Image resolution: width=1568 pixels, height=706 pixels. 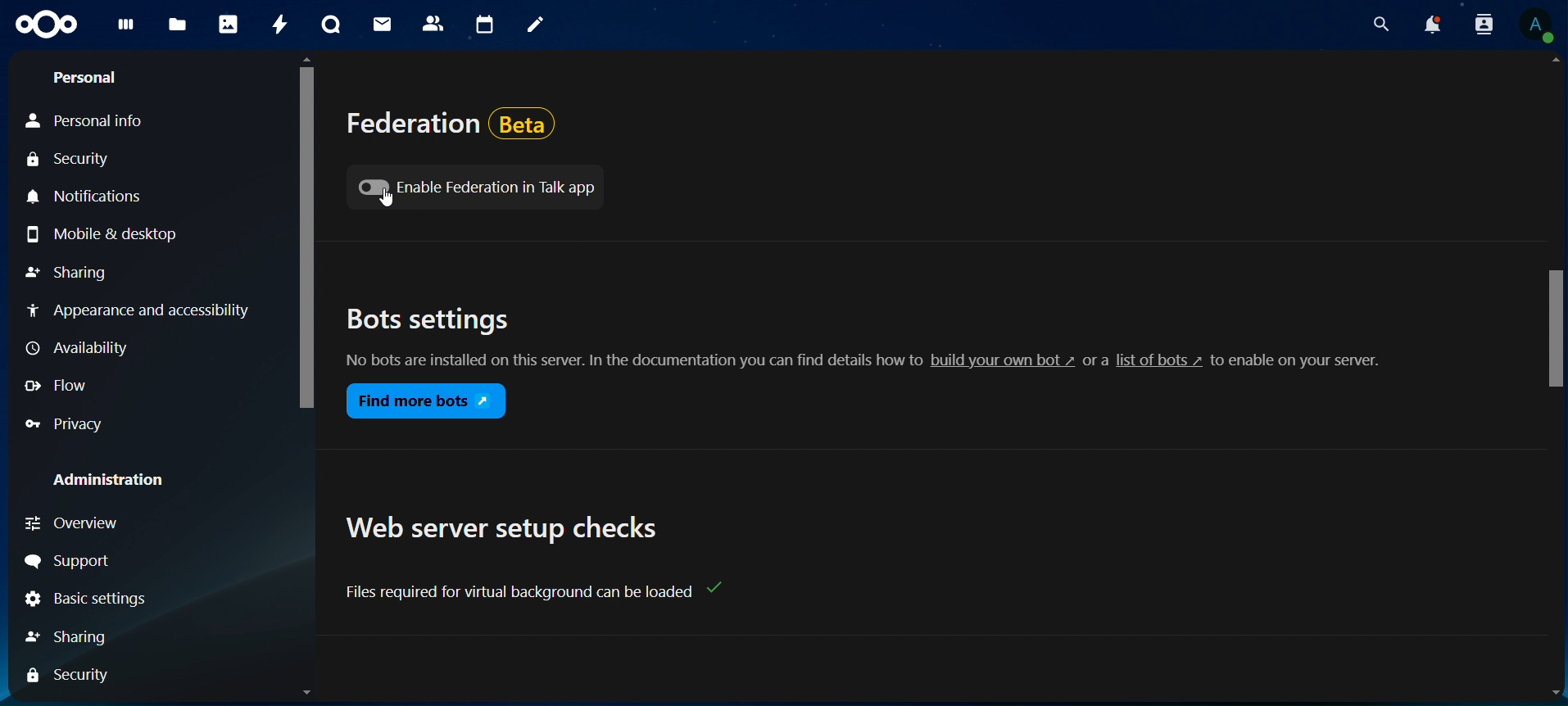 I want to click on Administration, so click(x=103, y=480).